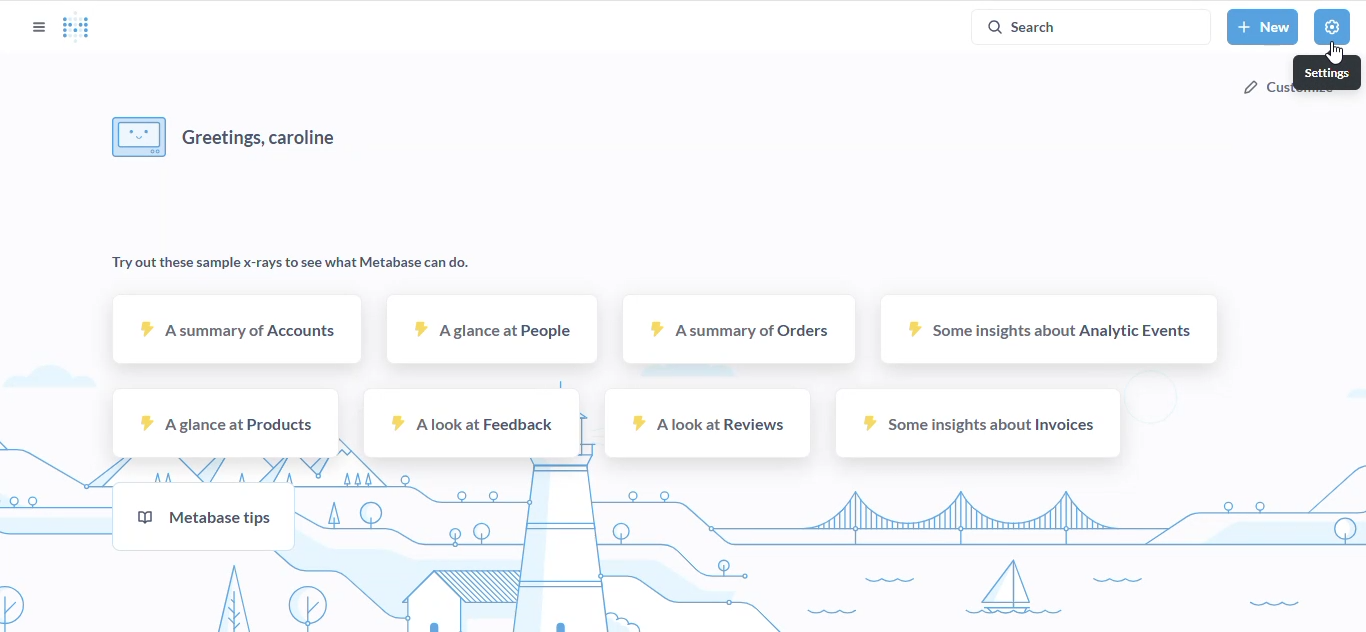  What do you see at coordinates (226, 423) in the screenshot?
I see `a glance at products` at bounding box center [226, 423].